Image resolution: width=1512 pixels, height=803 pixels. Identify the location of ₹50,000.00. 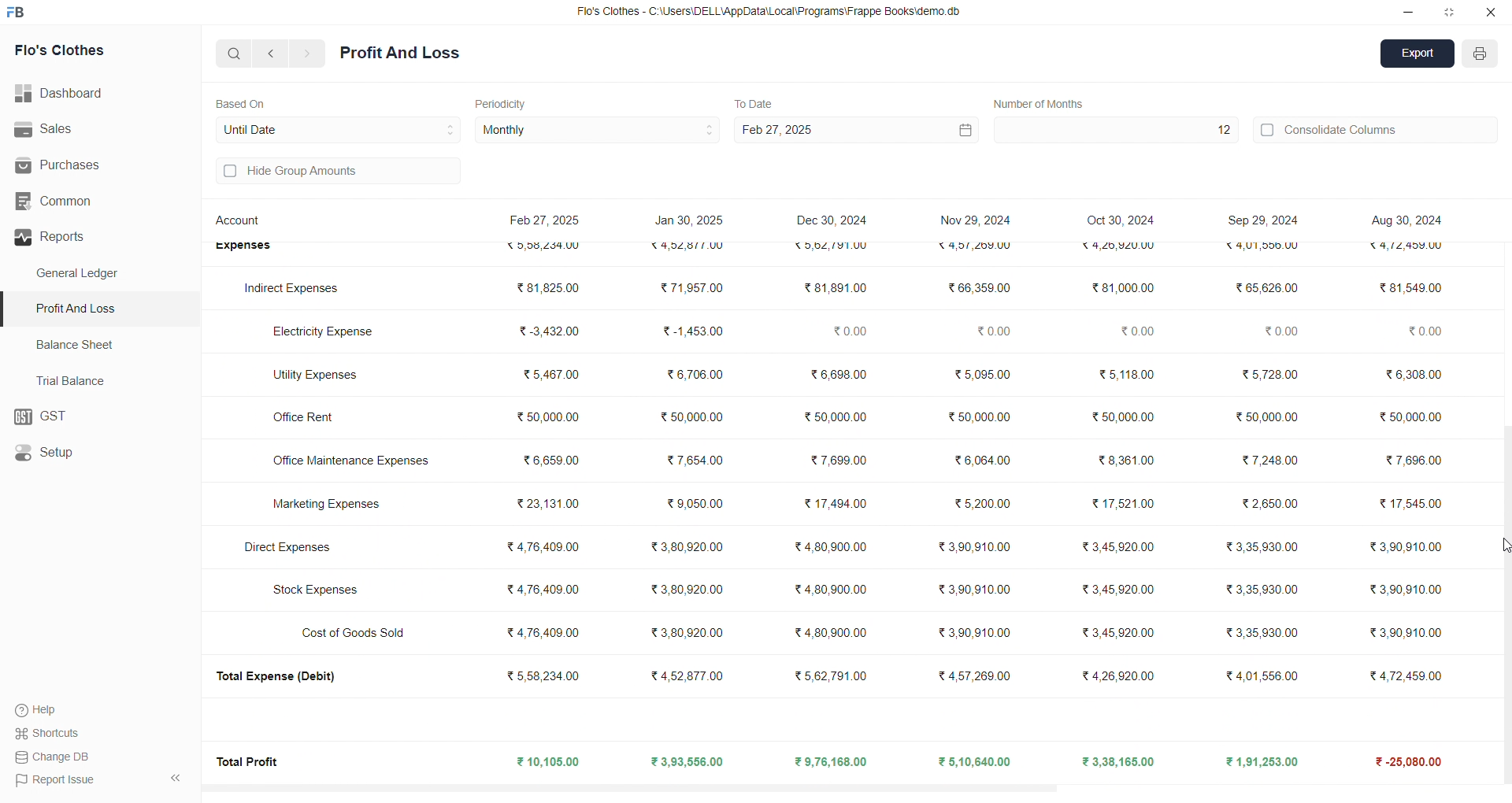
(543, 419).